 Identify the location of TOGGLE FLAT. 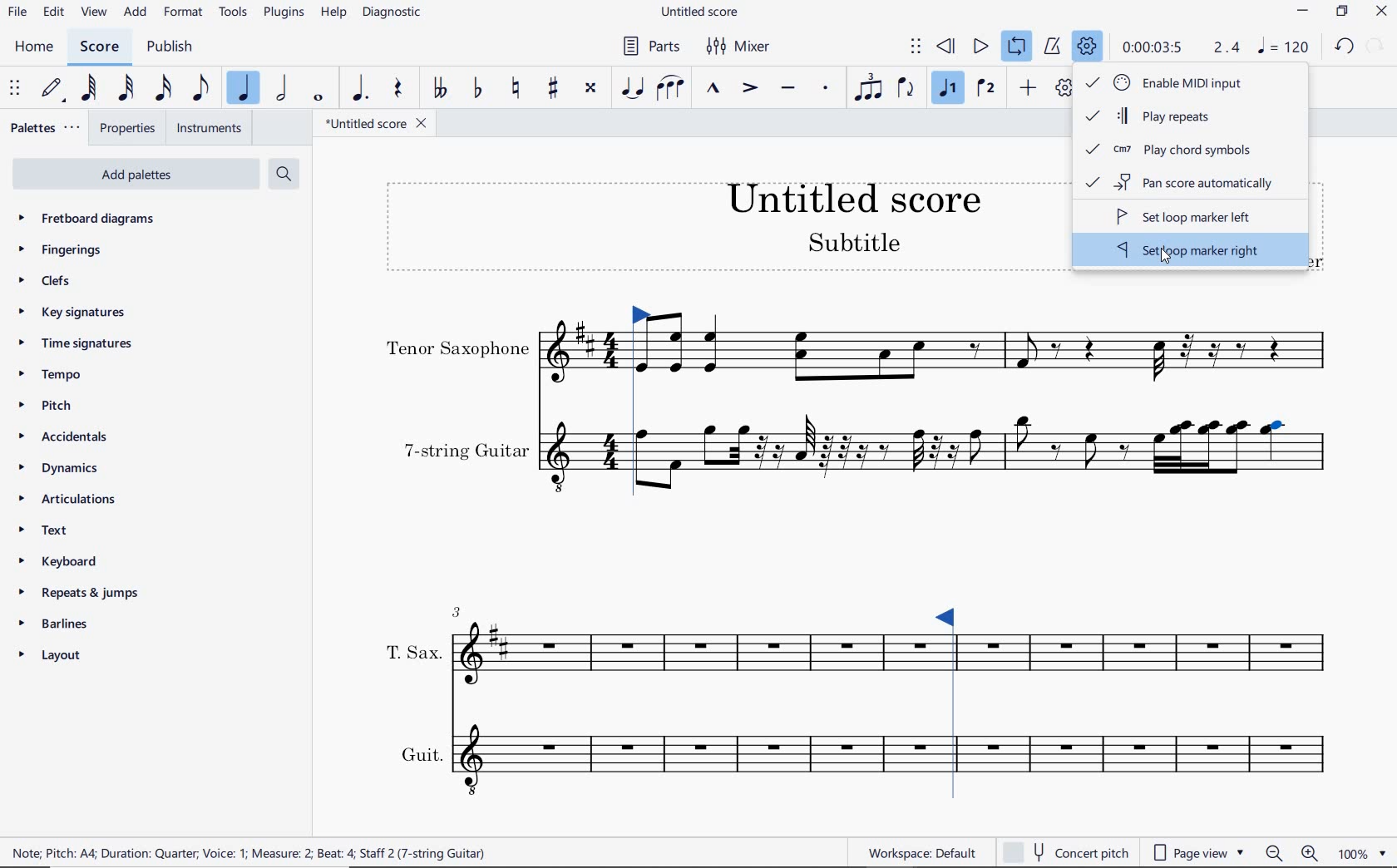
(475, 89).